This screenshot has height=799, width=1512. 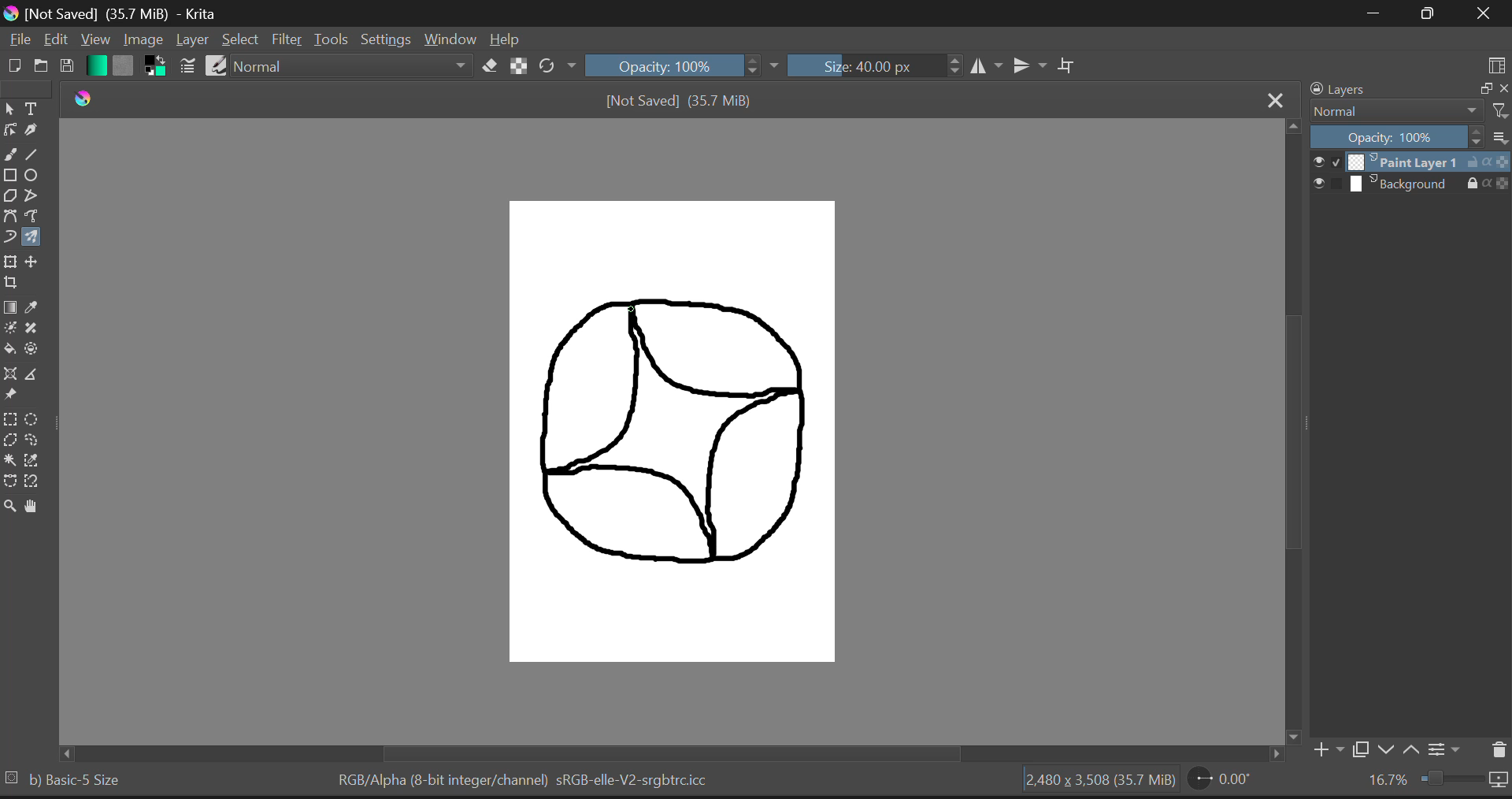 What do you see at coordinates (491, 67) in the screenshot?
I see `Erase` at bounding box center [491, 67].